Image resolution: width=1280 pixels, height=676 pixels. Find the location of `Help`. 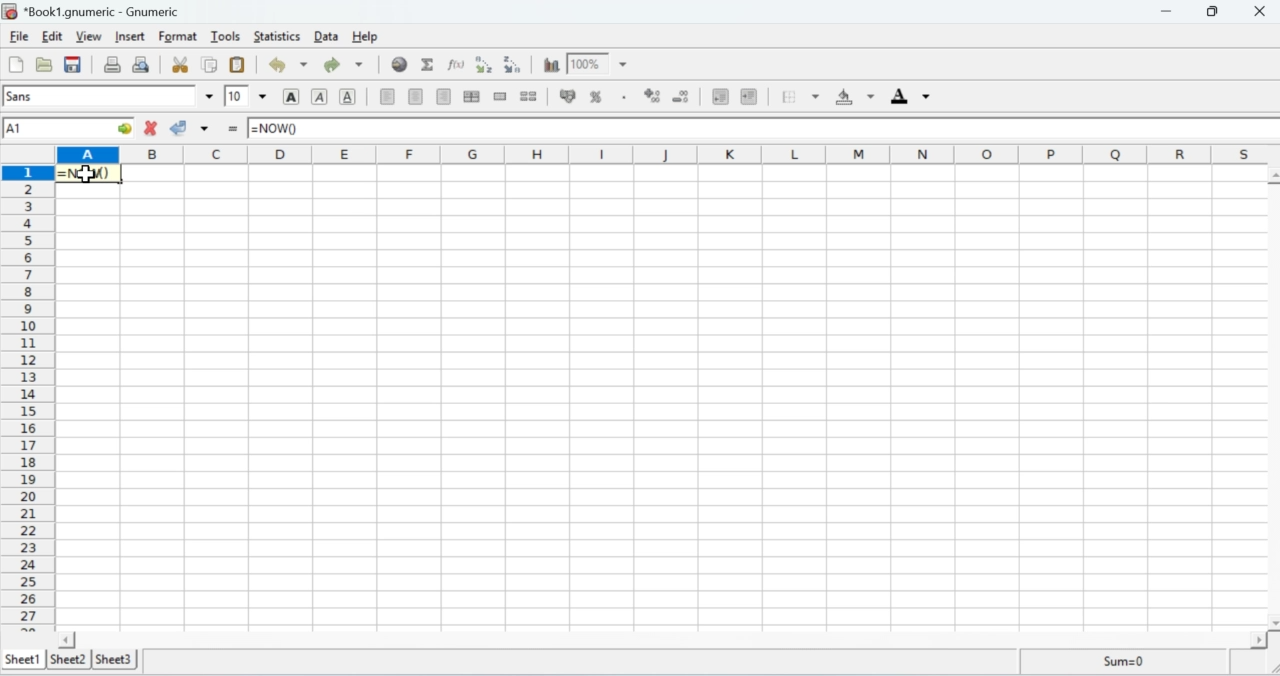

Help is located at coordinates (365, 36).